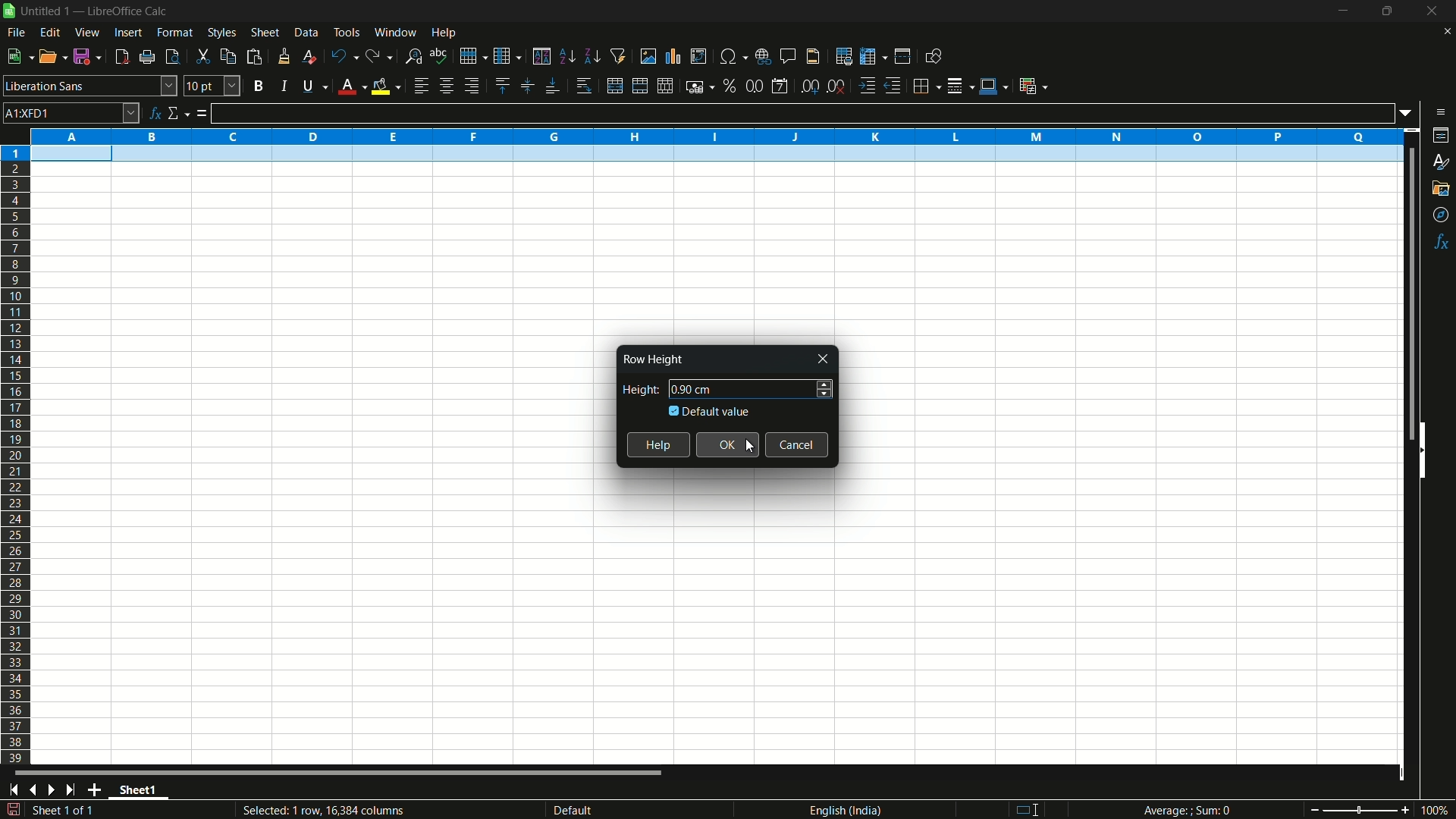 The image size is (1456, 819). I want to click on cursor, so click(750, 446).